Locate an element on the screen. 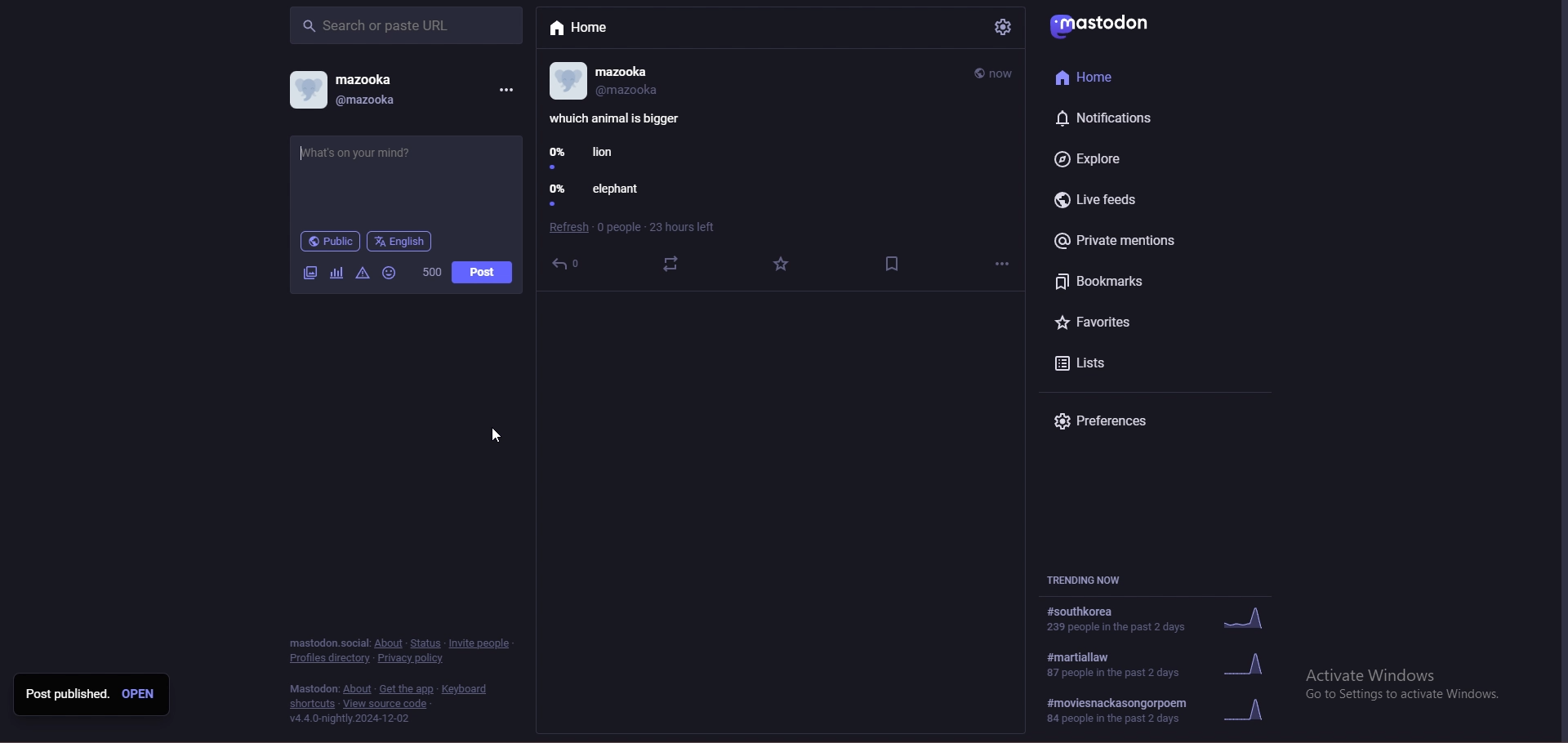 The image size is (1568, 743). post is located at coordinates (483, 273).